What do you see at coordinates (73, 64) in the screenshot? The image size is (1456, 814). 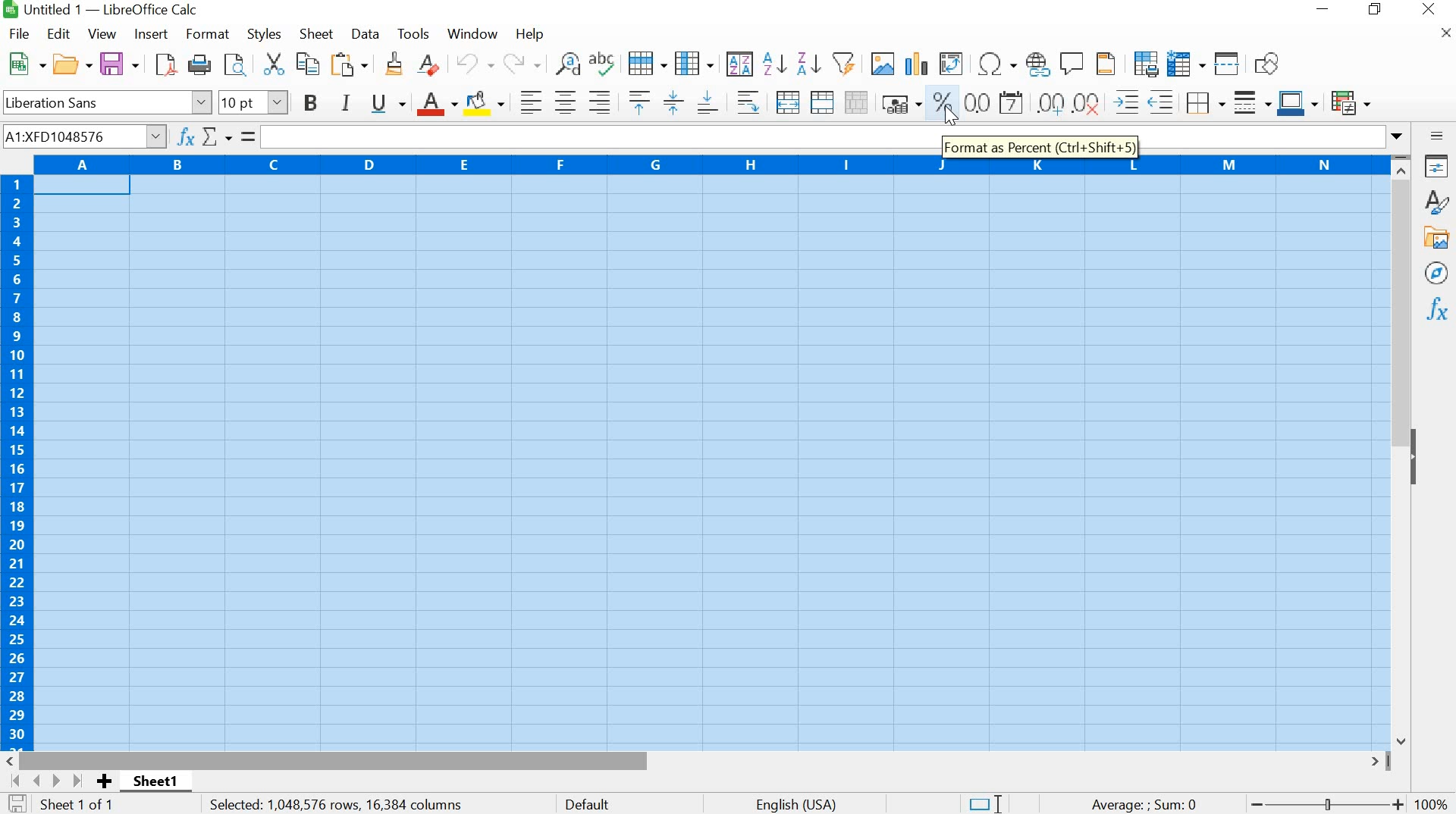 I see `OPEN` at bounding box center [73, 64].